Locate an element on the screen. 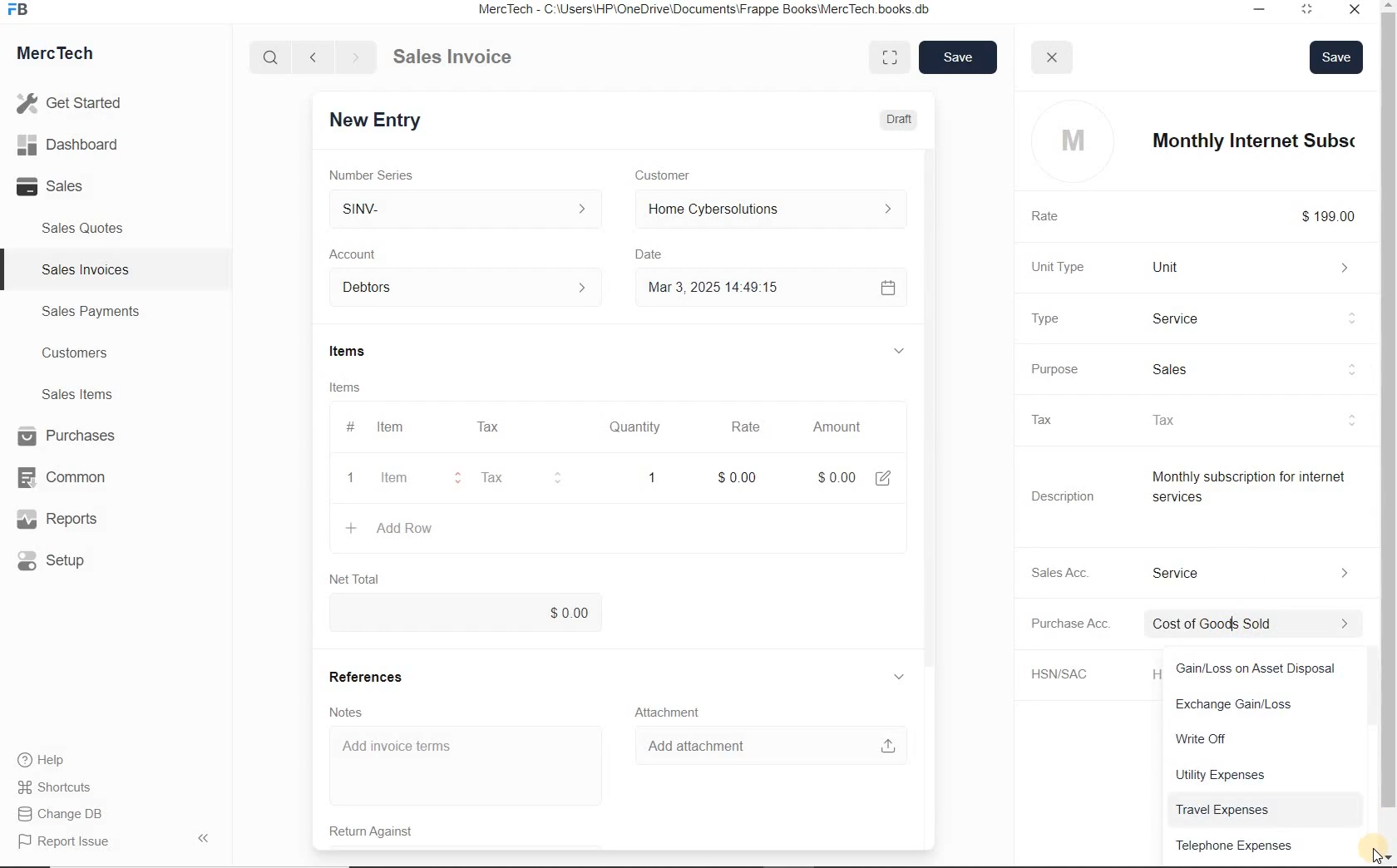  edit is located at coordinates (890, 476).